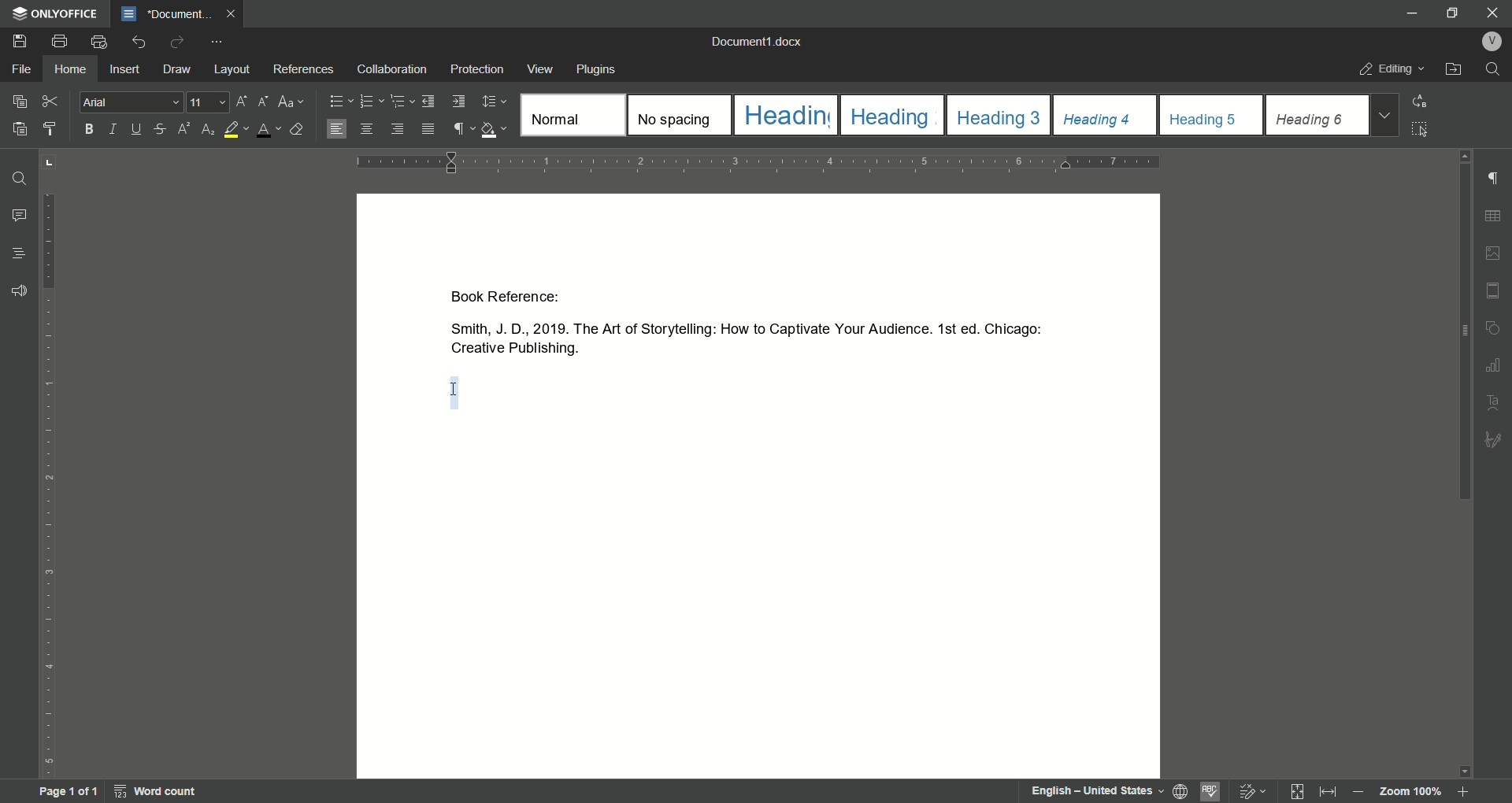 This screenshot has width=1512, height=803. I want to click on paragraph, so click(371, 101).